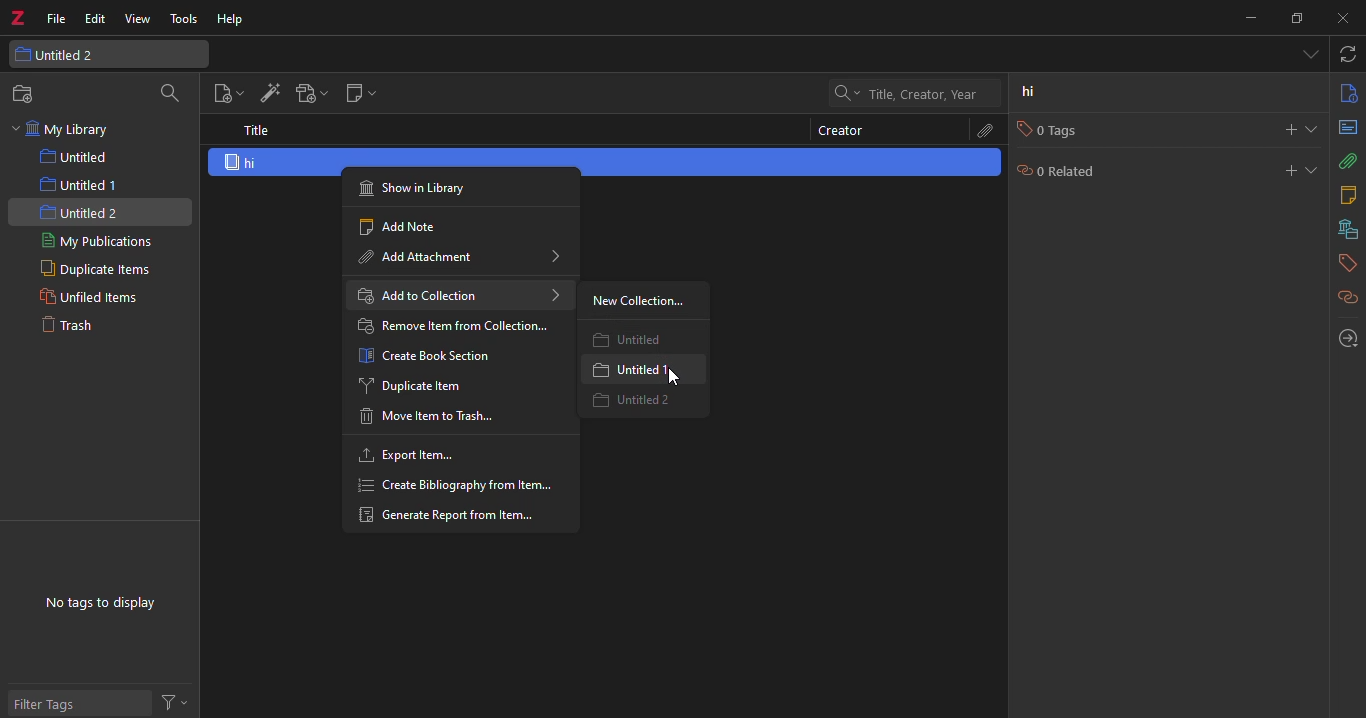 The width and height of the screenshot is (1366, 718). Describe the element at coordinates (844, 133) in the screenshot. I see `creator` at that location.